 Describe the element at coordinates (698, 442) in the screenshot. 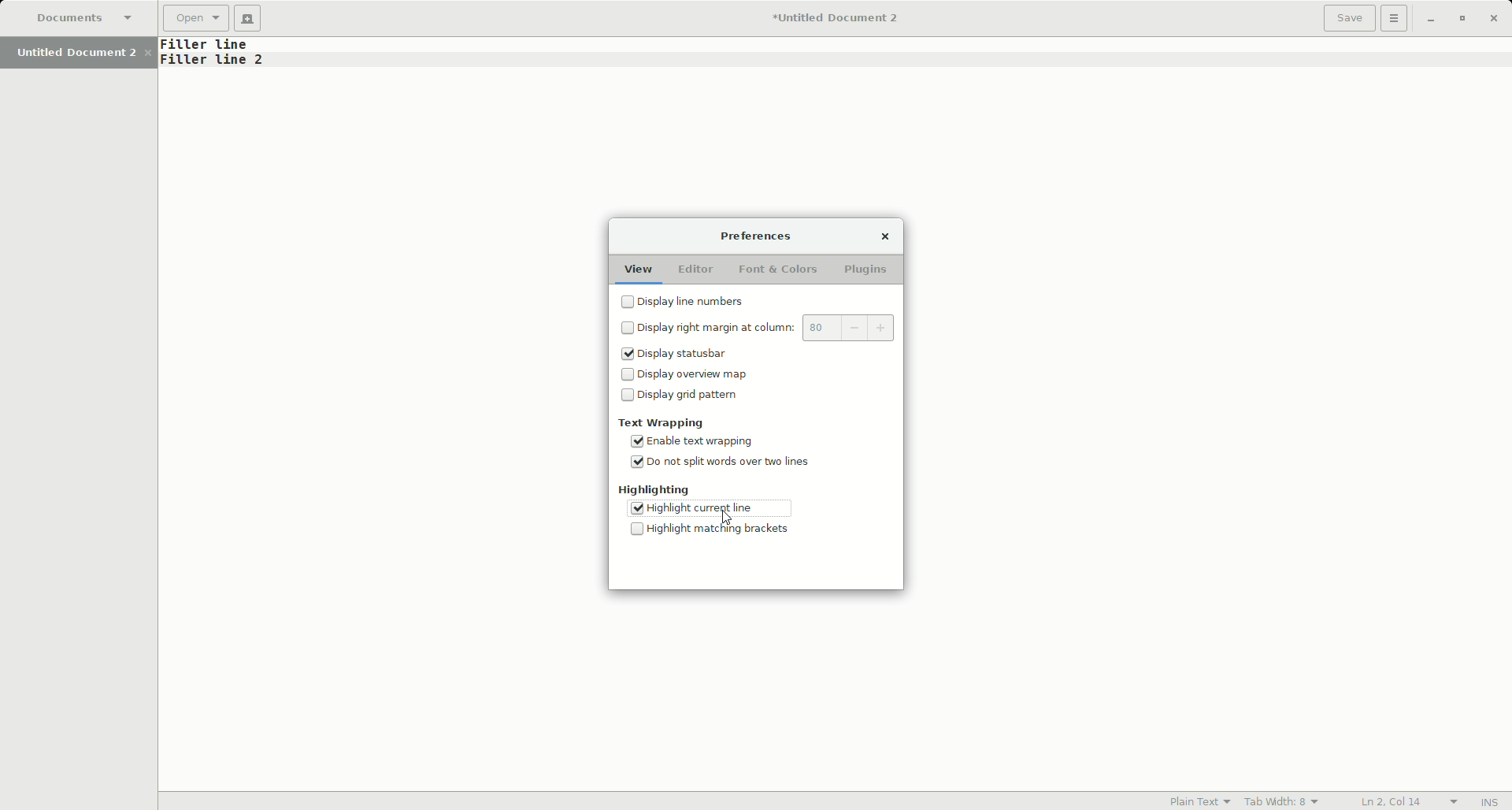

I see `Enable text wrapping` at that location.